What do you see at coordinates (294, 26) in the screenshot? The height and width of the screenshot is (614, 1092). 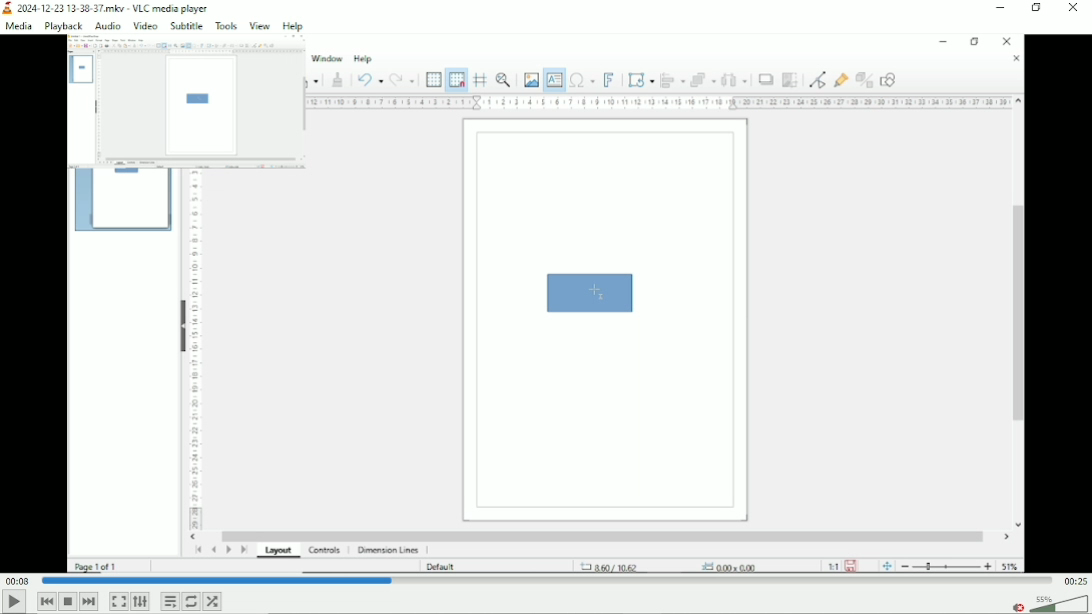 I see `Help` at bounding box center [294, 26].